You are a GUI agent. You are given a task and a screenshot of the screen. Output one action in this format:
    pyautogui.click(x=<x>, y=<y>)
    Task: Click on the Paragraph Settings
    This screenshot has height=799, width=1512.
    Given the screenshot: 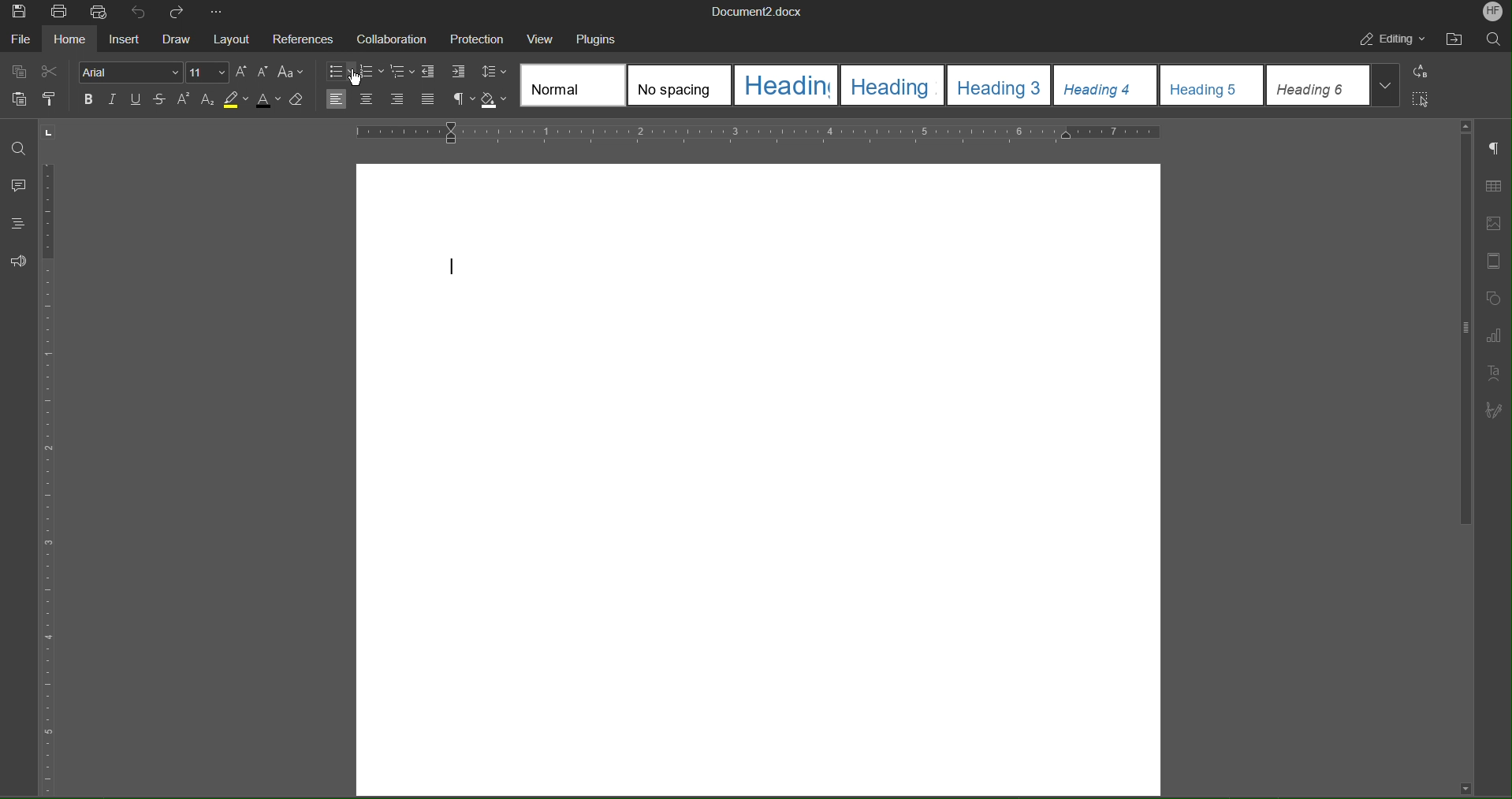 What is the action you would take?
    pyautogui.click(x=1492, y=151)
    